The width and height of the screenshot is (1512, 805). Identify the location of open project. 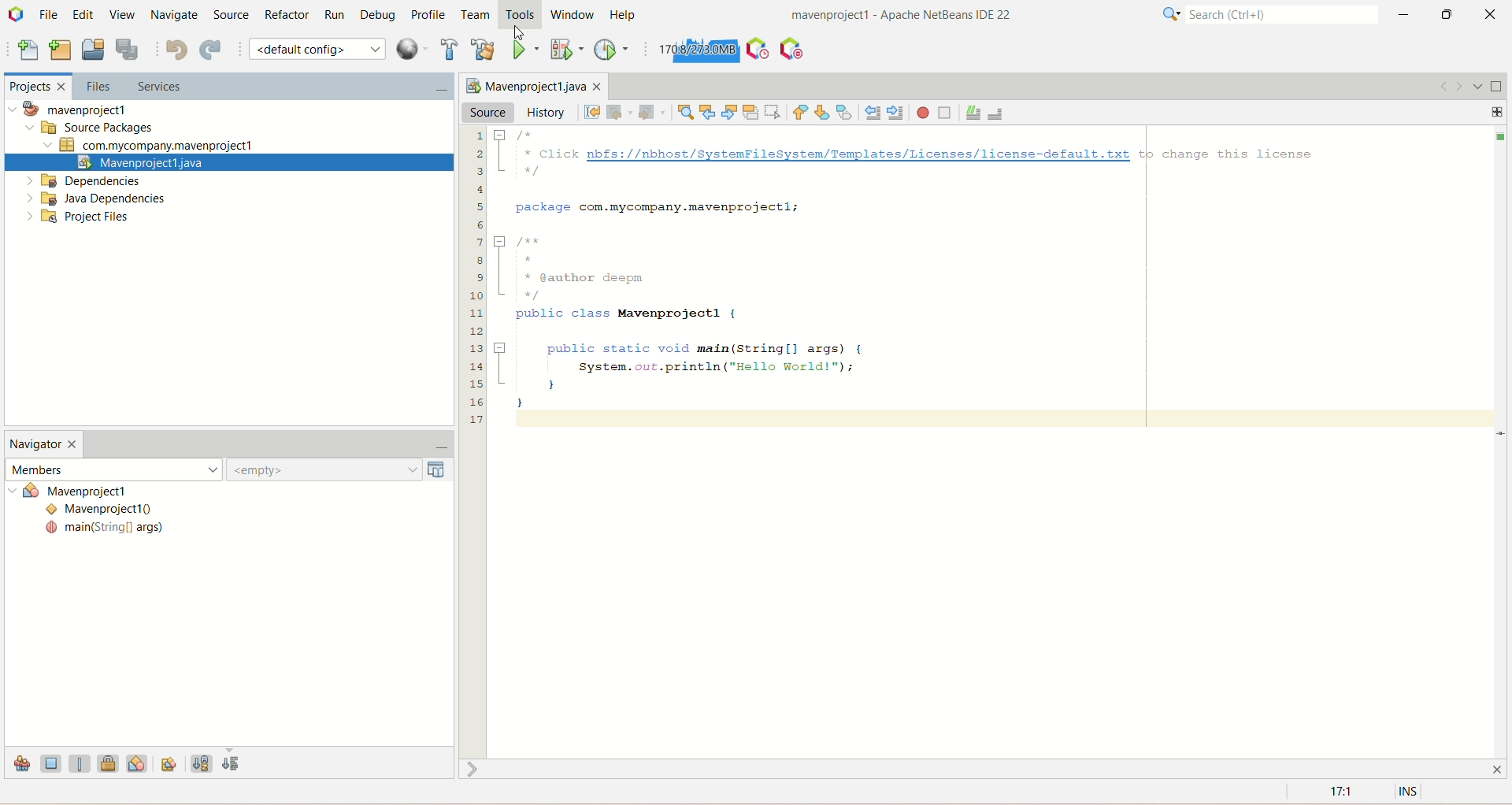
(93, 50).